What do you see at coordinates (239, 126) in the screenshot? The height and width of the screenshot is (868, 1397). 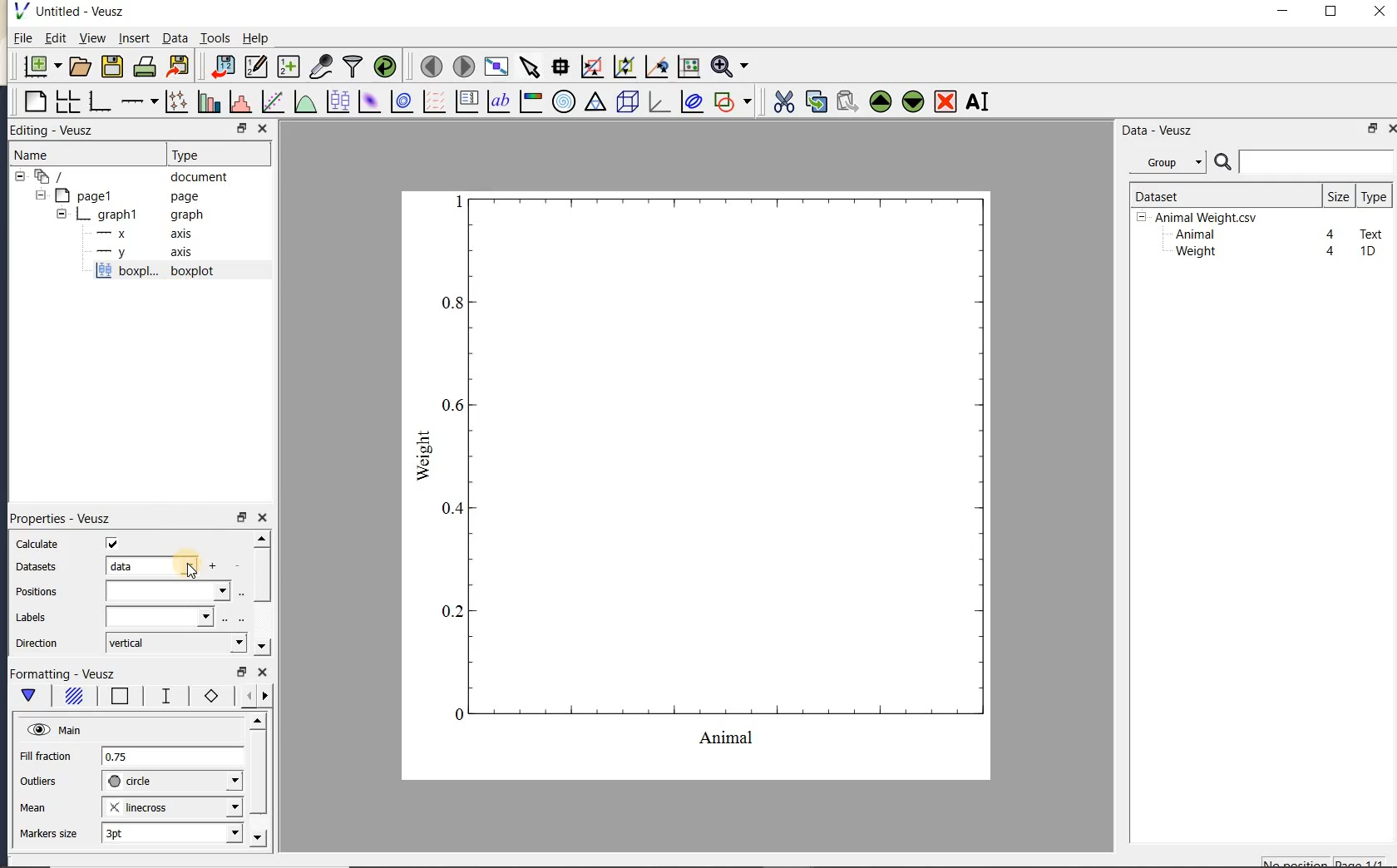 I see `RESTORE` at bounding box center [239, 126].